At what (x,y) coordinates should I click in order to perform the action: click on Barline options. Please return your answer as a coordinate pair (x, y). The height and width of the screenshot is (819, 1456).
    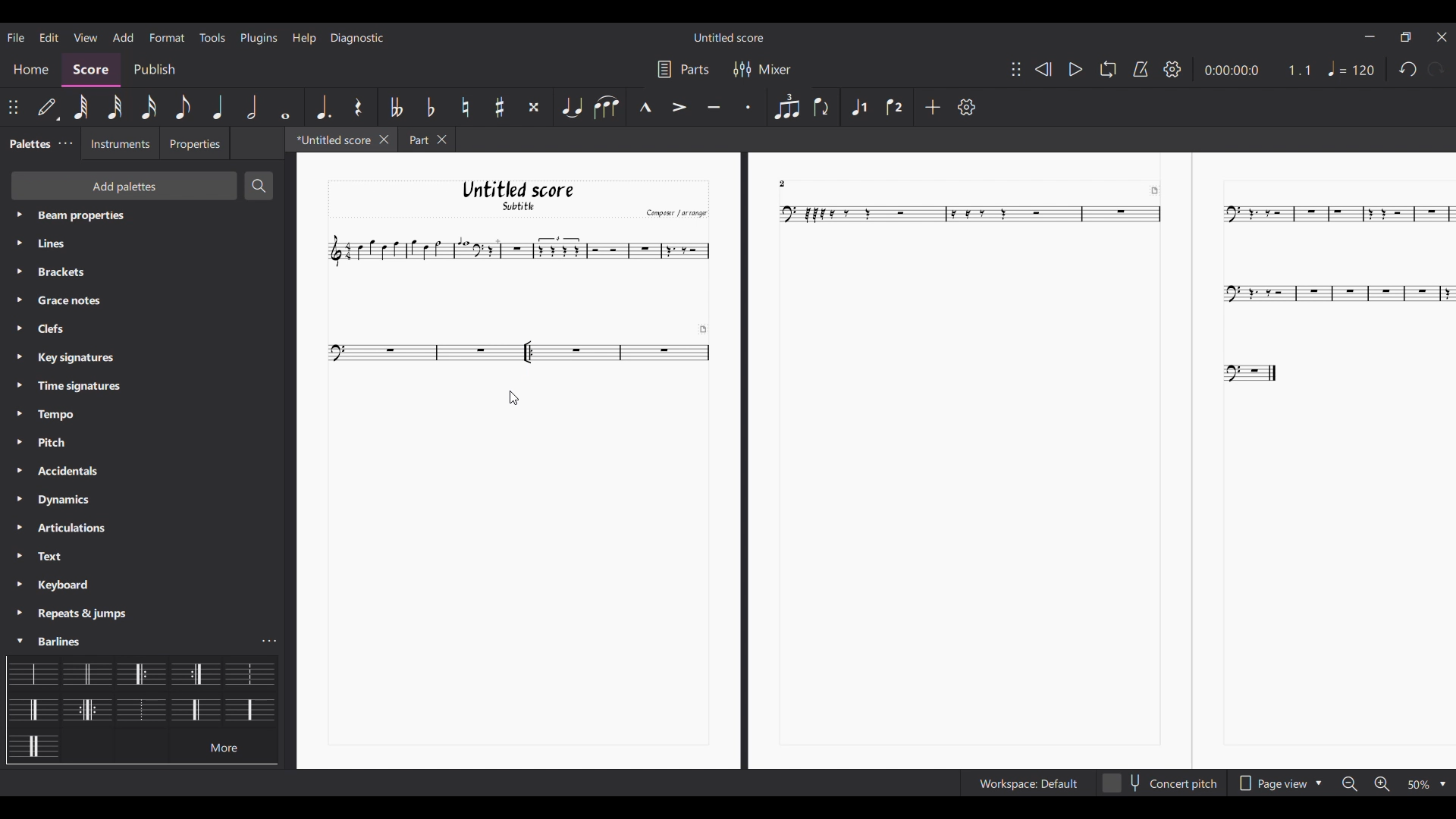
    Looking at the image, I should click on (36, 708).